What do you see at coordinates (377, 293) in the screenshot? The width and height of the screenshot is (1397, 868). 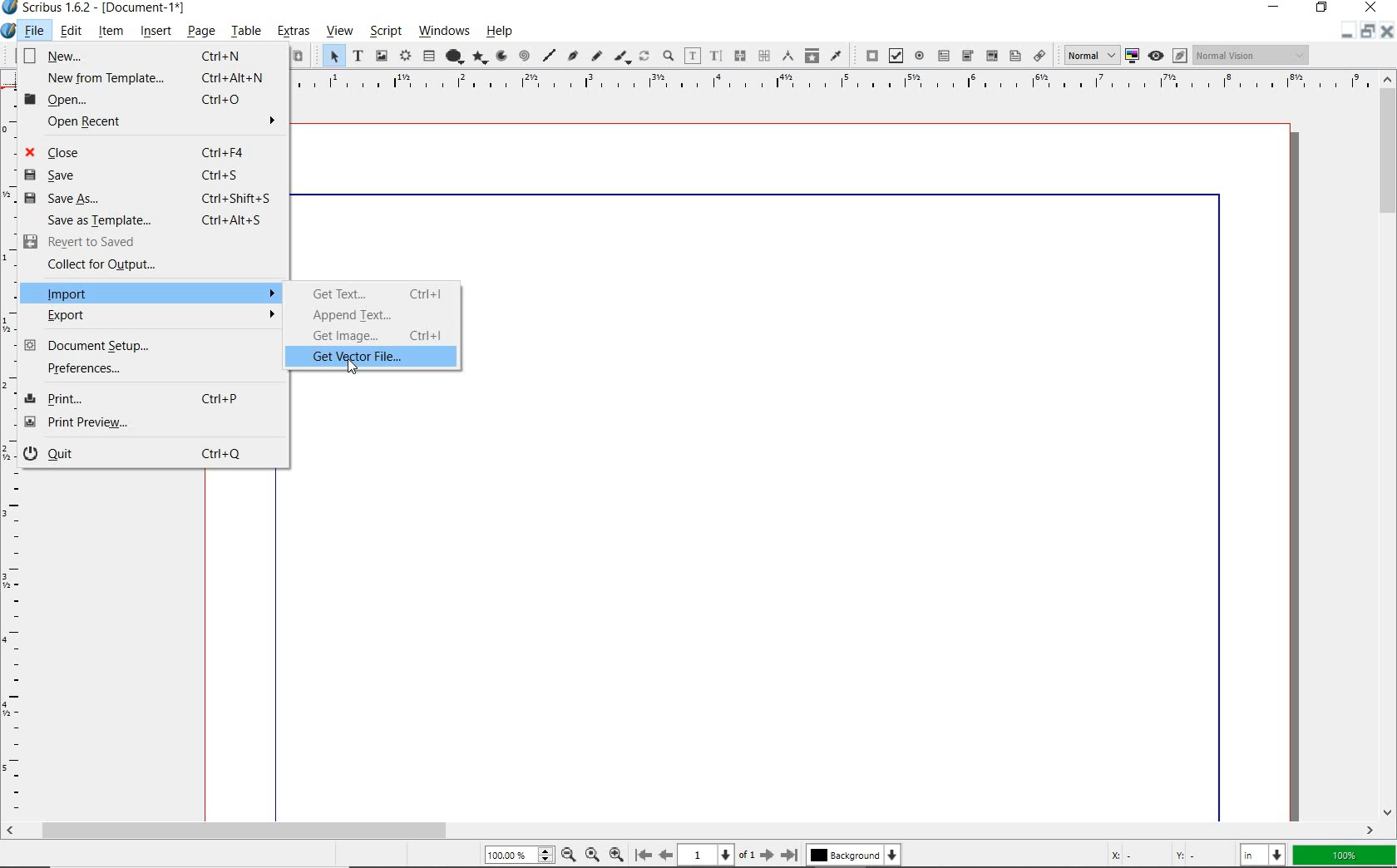 I see `get text...` at bounding box center [377, 293].